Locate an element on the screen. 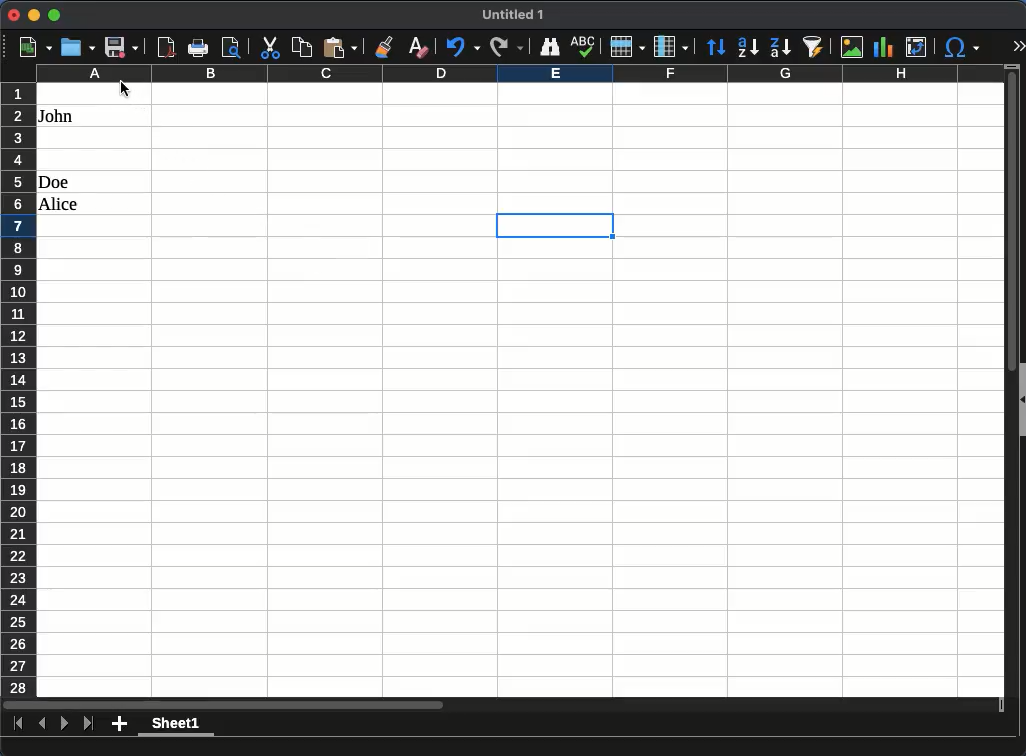 This screenshot has height=756, width=1026. cursor is located at coordinates (126, 89).